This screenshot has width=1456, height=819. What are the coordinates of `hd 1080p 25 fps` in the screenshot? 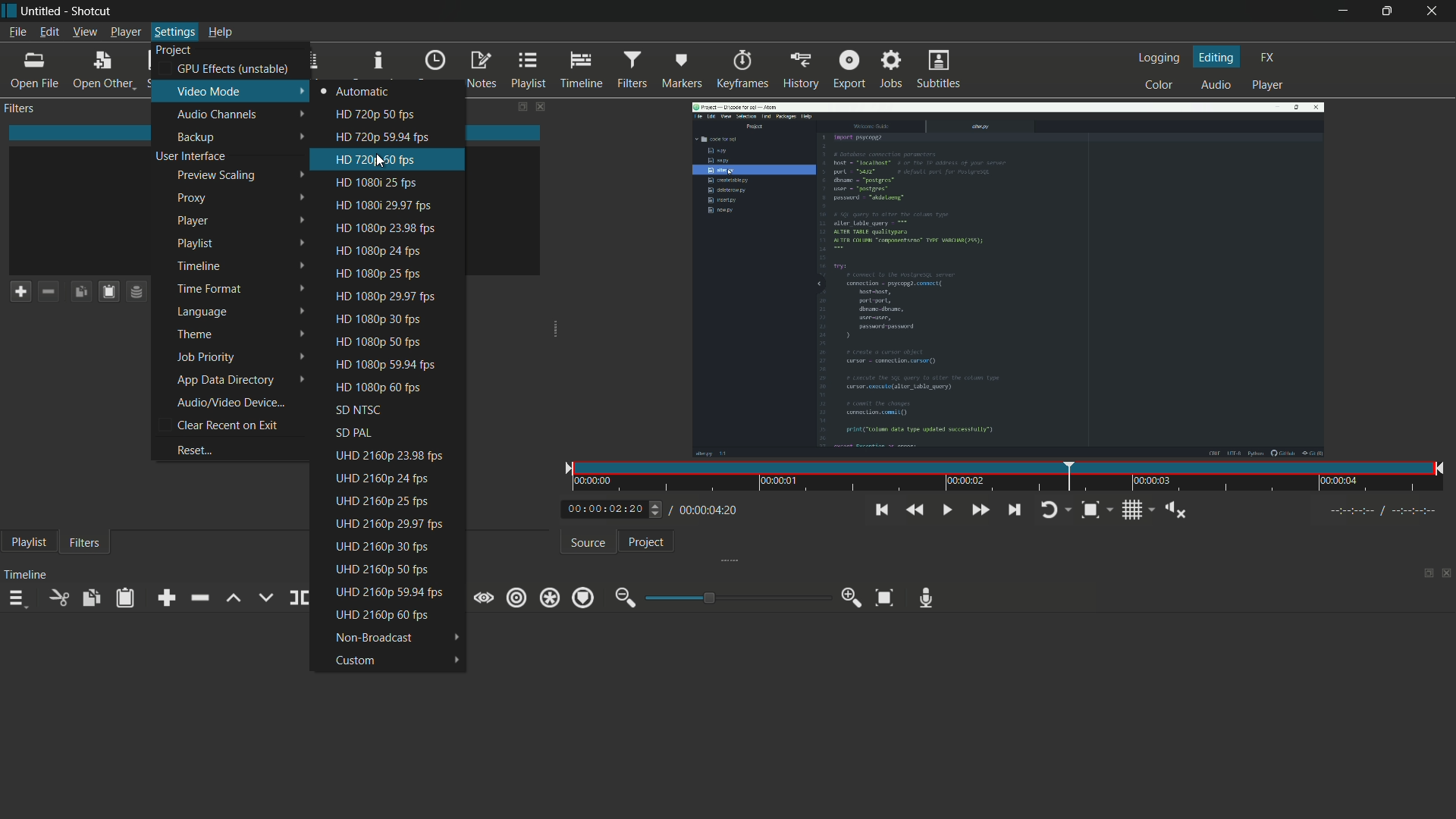 It's located at (397, 182).